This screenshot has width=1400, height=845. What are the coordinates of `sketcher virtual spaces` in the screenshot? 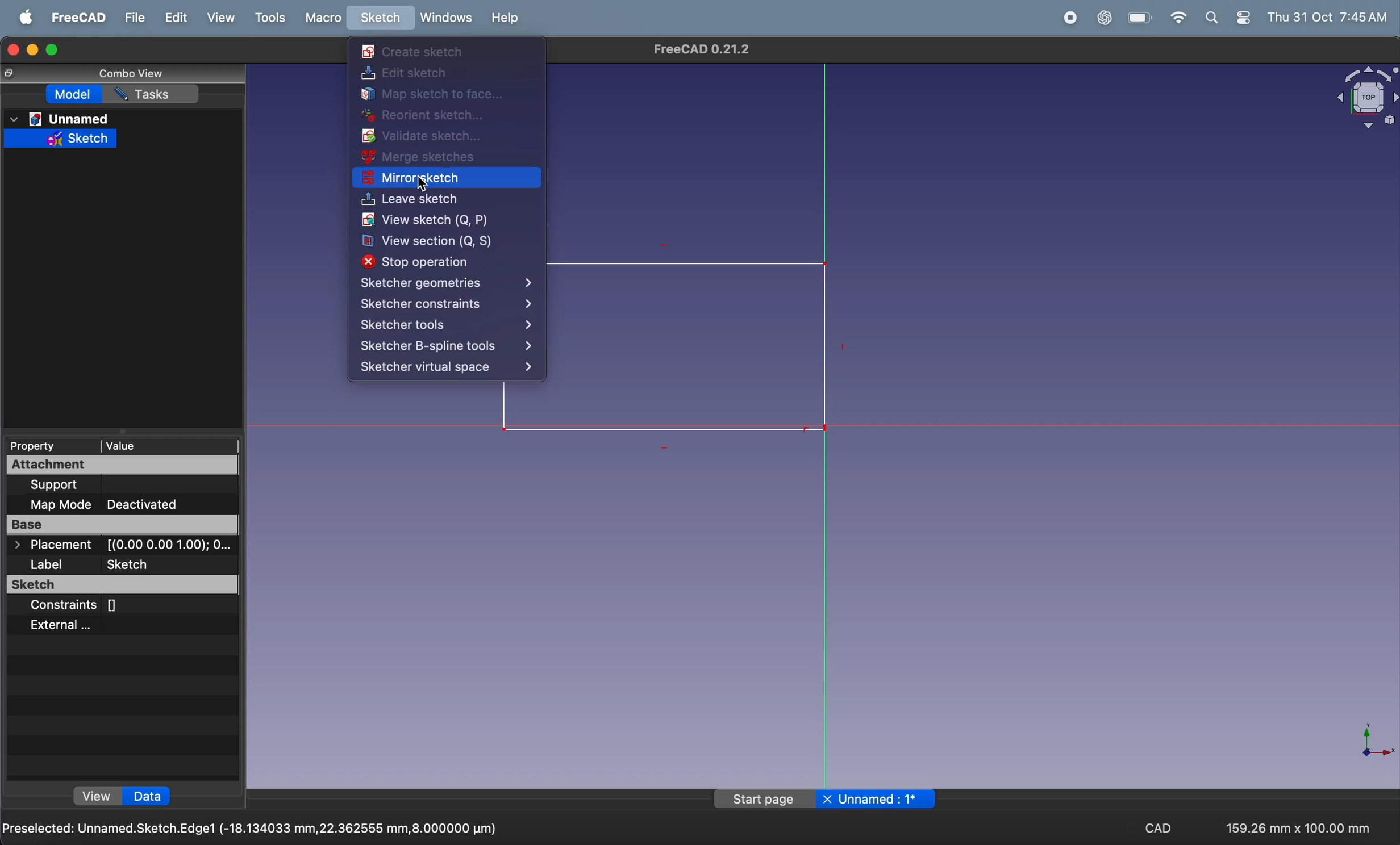 It's located at (445, 369).